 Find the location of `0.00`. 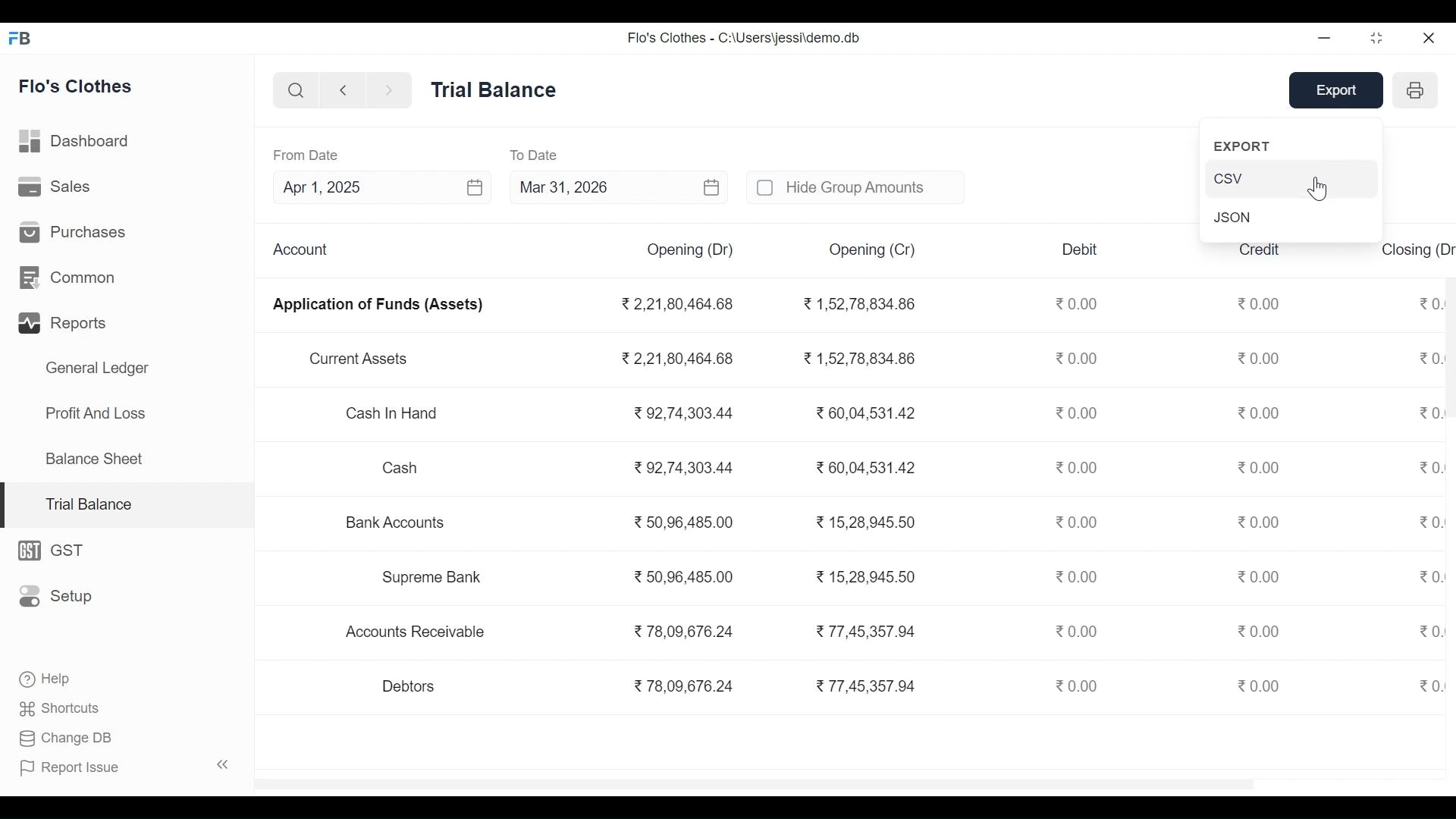

0.00 is located at coordinates (1427, 523).